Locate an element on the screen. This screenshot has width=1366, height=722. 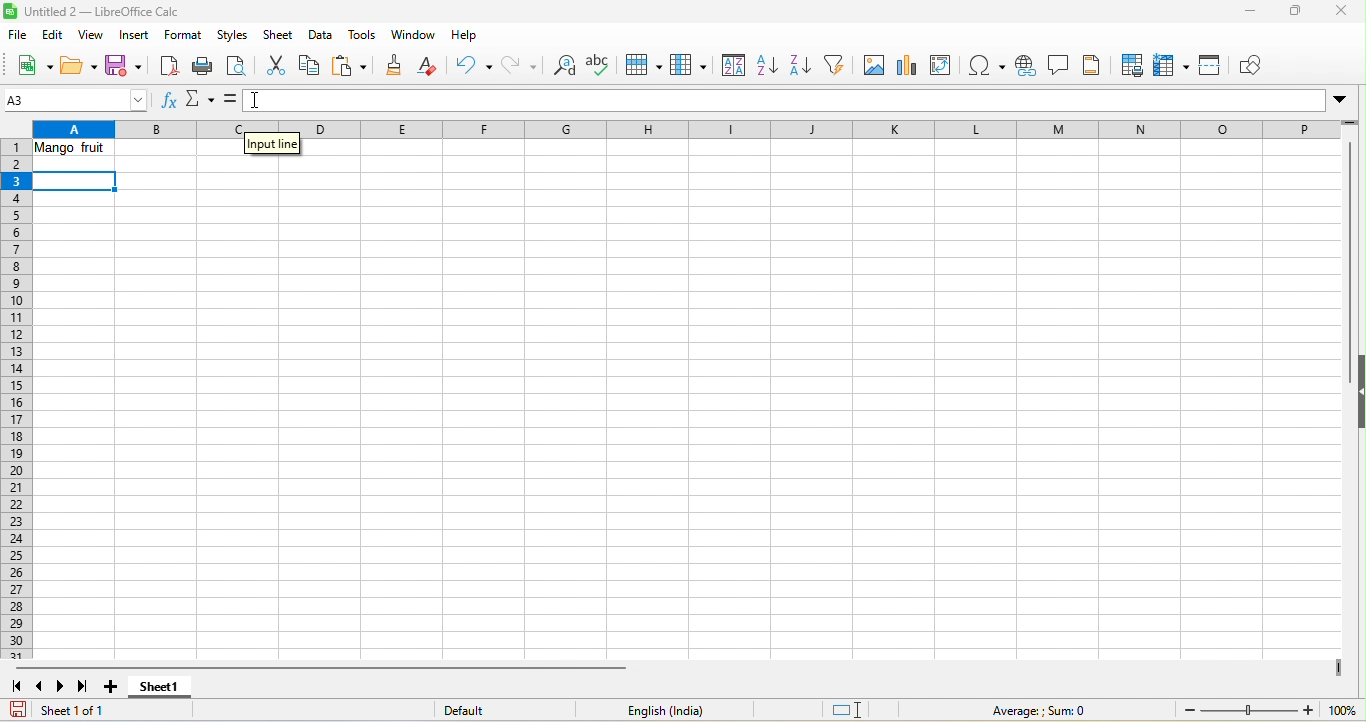
file is located at coordinates (19, 34).